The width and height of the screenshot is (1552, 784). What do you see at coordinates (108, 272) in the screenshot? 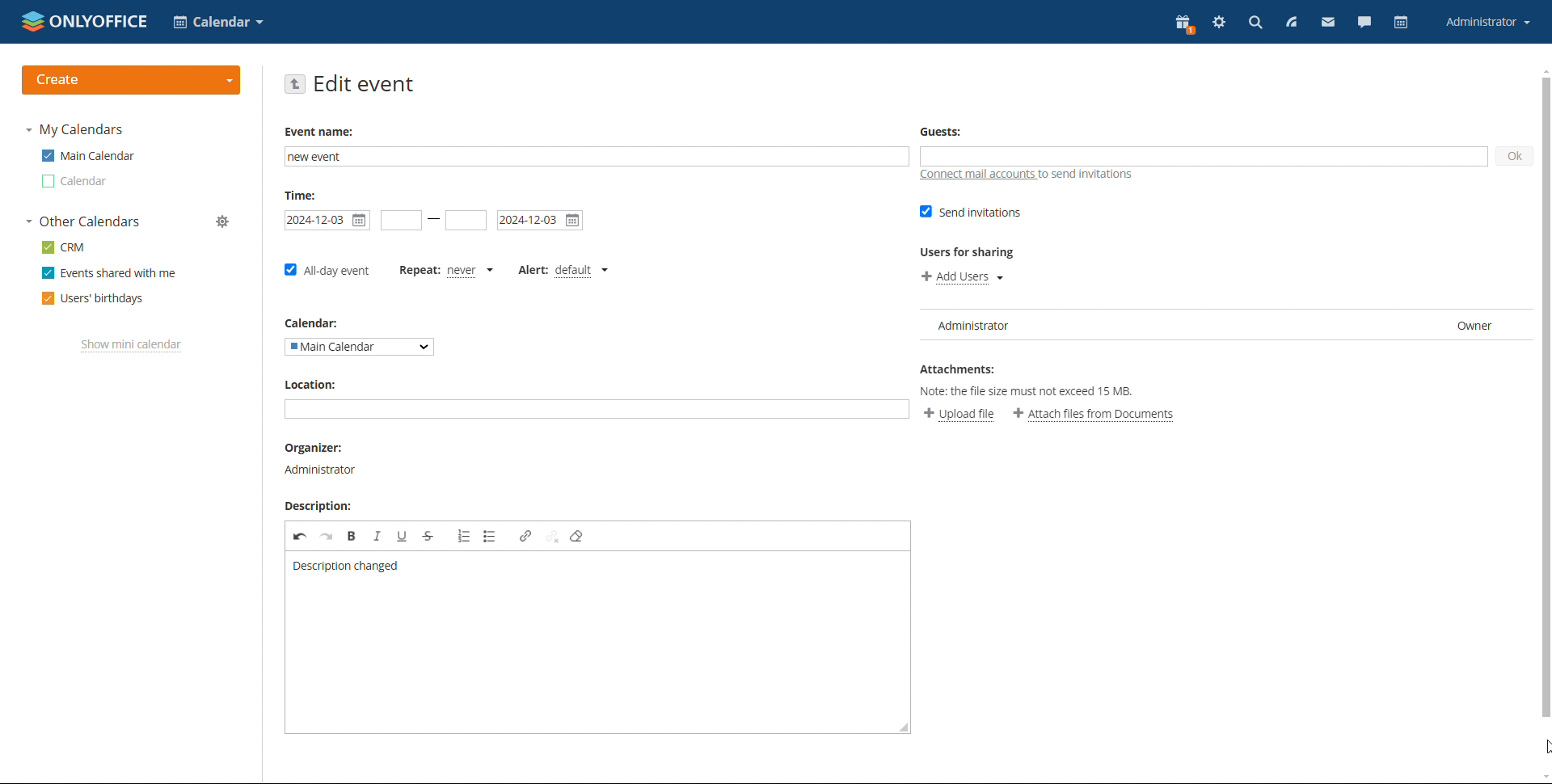
I see `events shared with me` at bounding box center [108, 272].